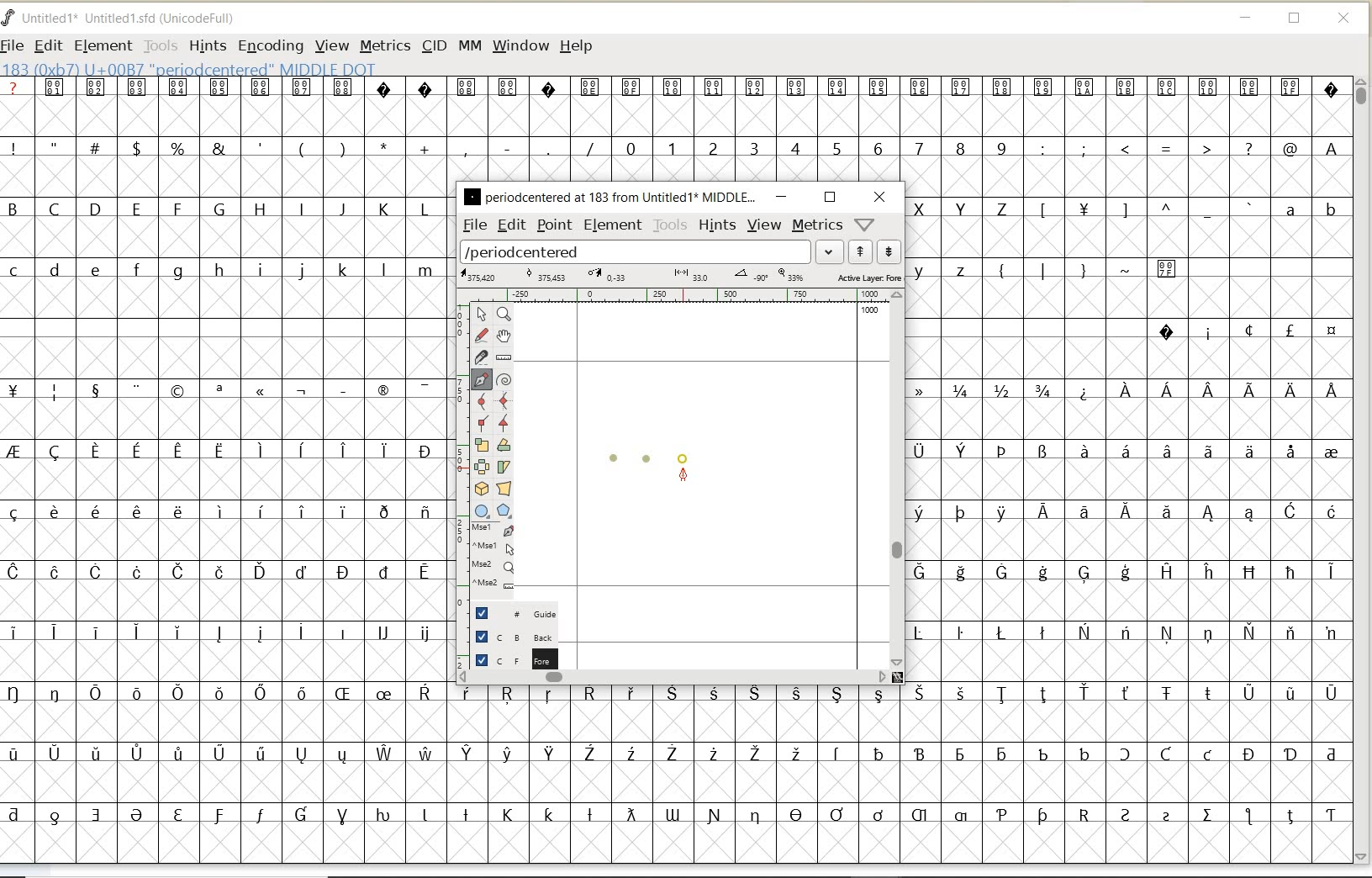 The width and height of the screenshot is (1372, 878). Describe the element at coordinates (862, 252) in the screenshot. I see `show previous word list` at that location.